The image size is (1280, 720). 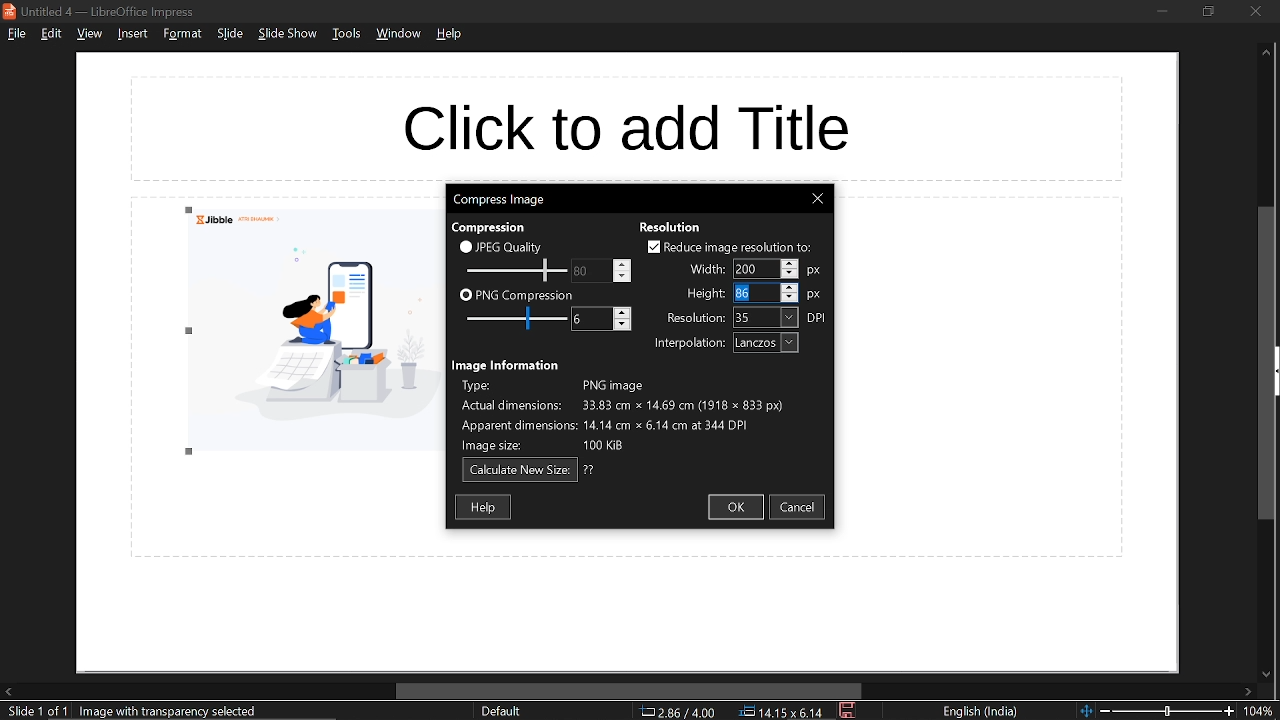 I want to click on Move up, so click(x=1266, y=53).